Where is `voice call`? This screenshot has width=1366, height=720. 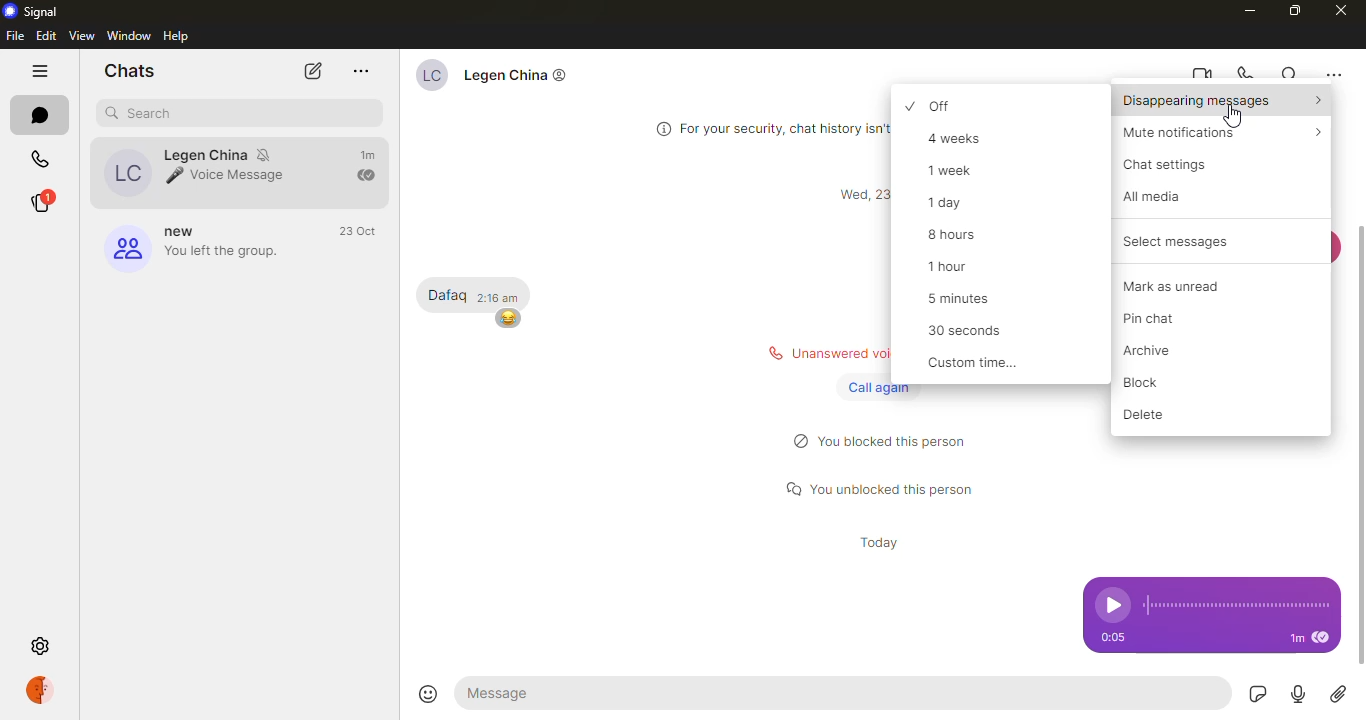 voice call is located at coordinates (1247, 73).